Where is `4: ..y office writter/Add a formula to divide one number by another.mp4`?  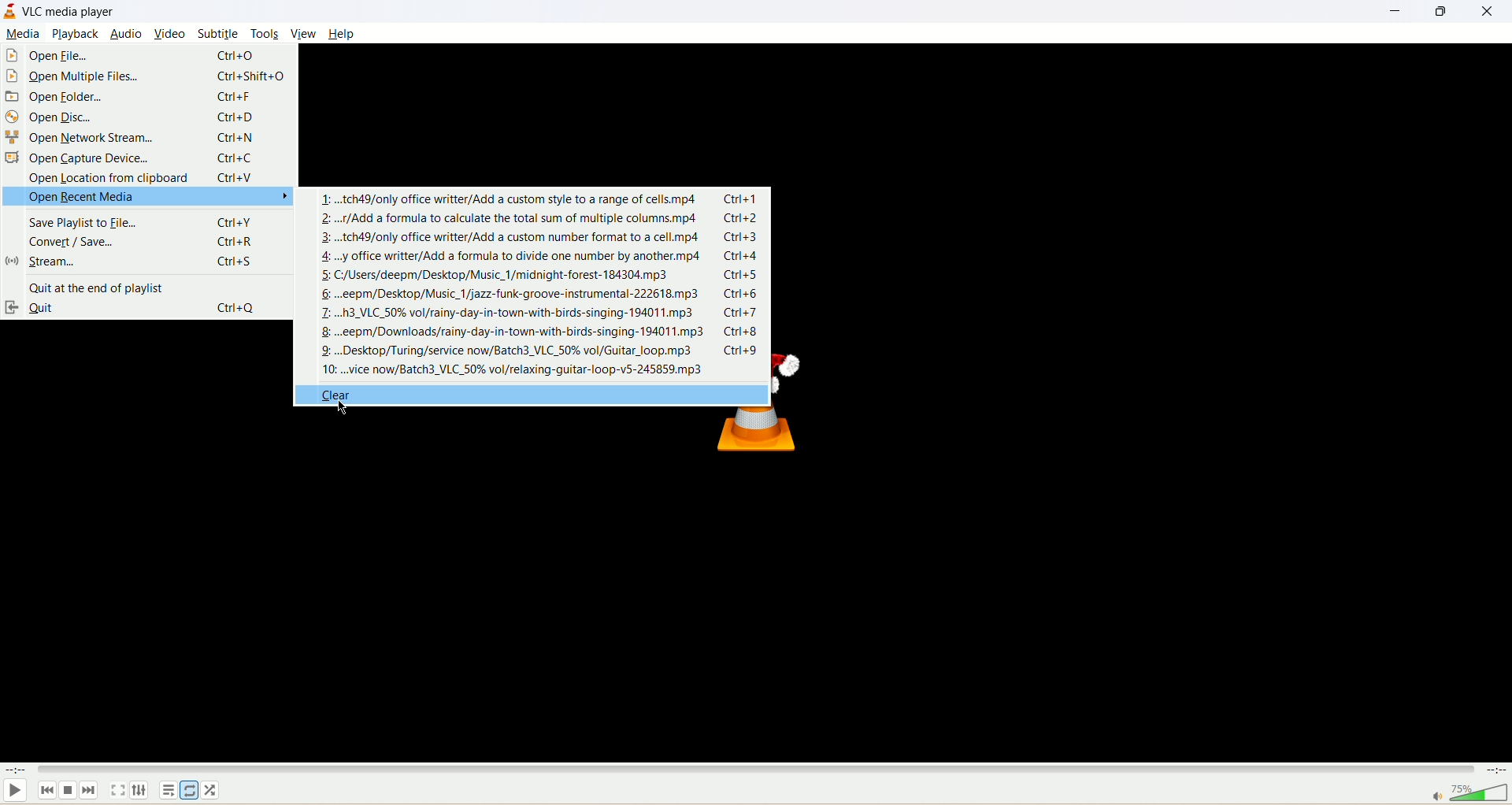
4: ..y office writter/Add a formula to divide one number by another.mp4 is located at coordinates (513, 257).